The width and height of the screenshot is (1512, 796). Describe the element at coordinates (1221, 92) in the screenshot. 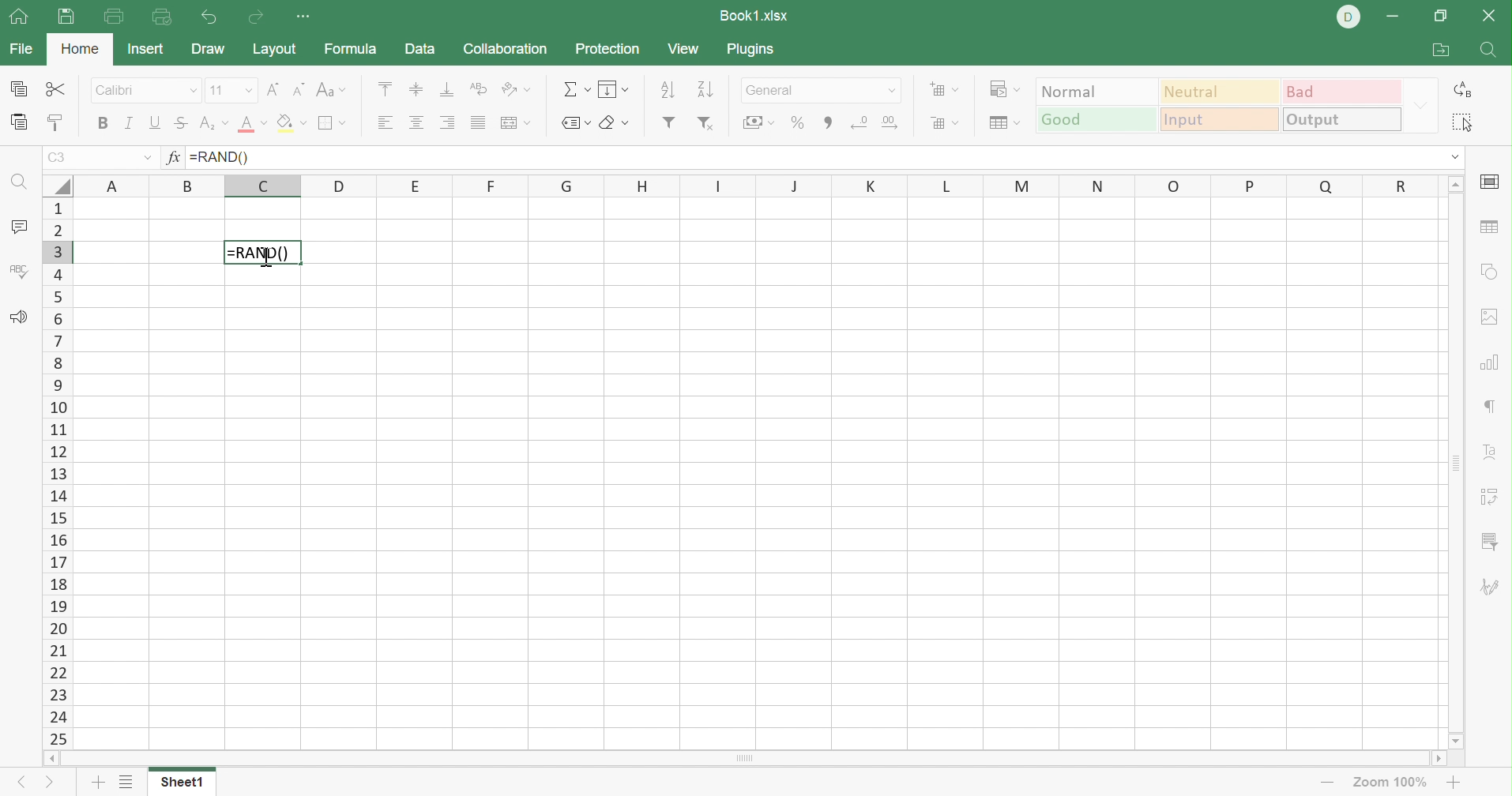

I see `Neutral` at that location.